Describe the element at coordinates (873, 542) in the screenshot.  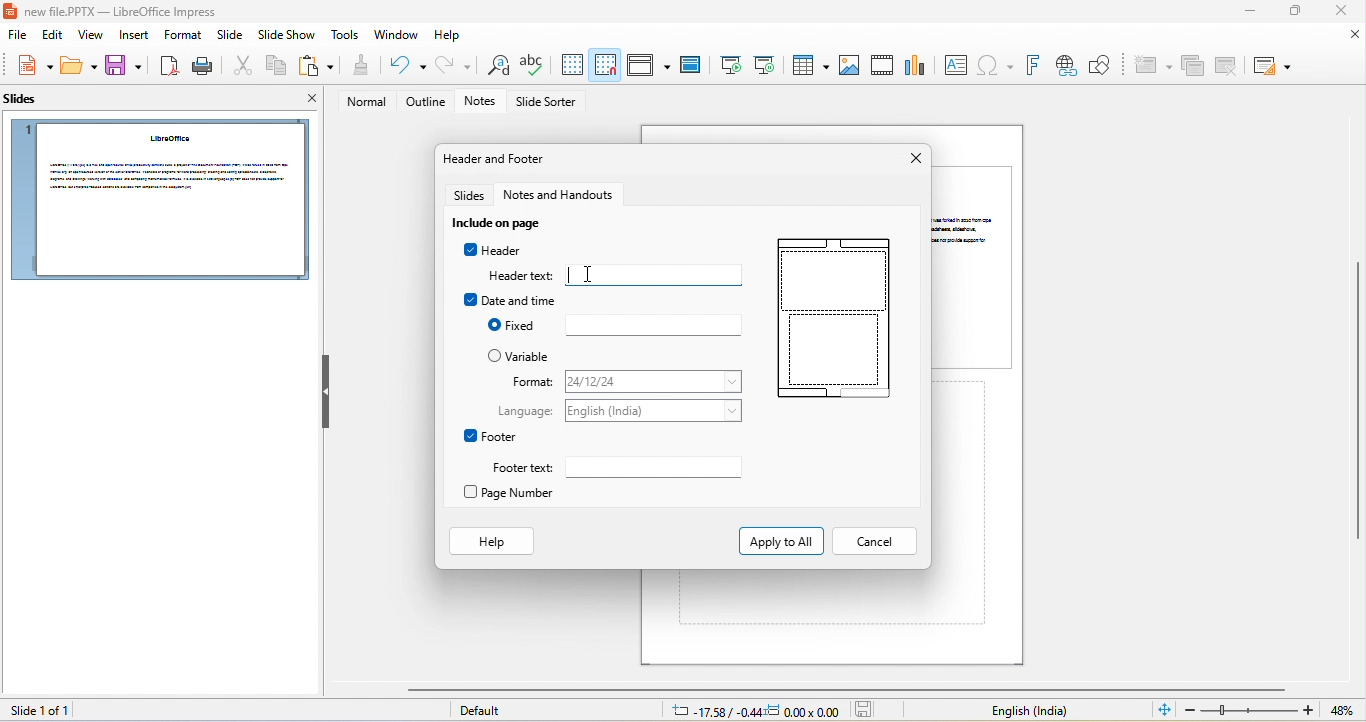
I see `Cancel` at that location.